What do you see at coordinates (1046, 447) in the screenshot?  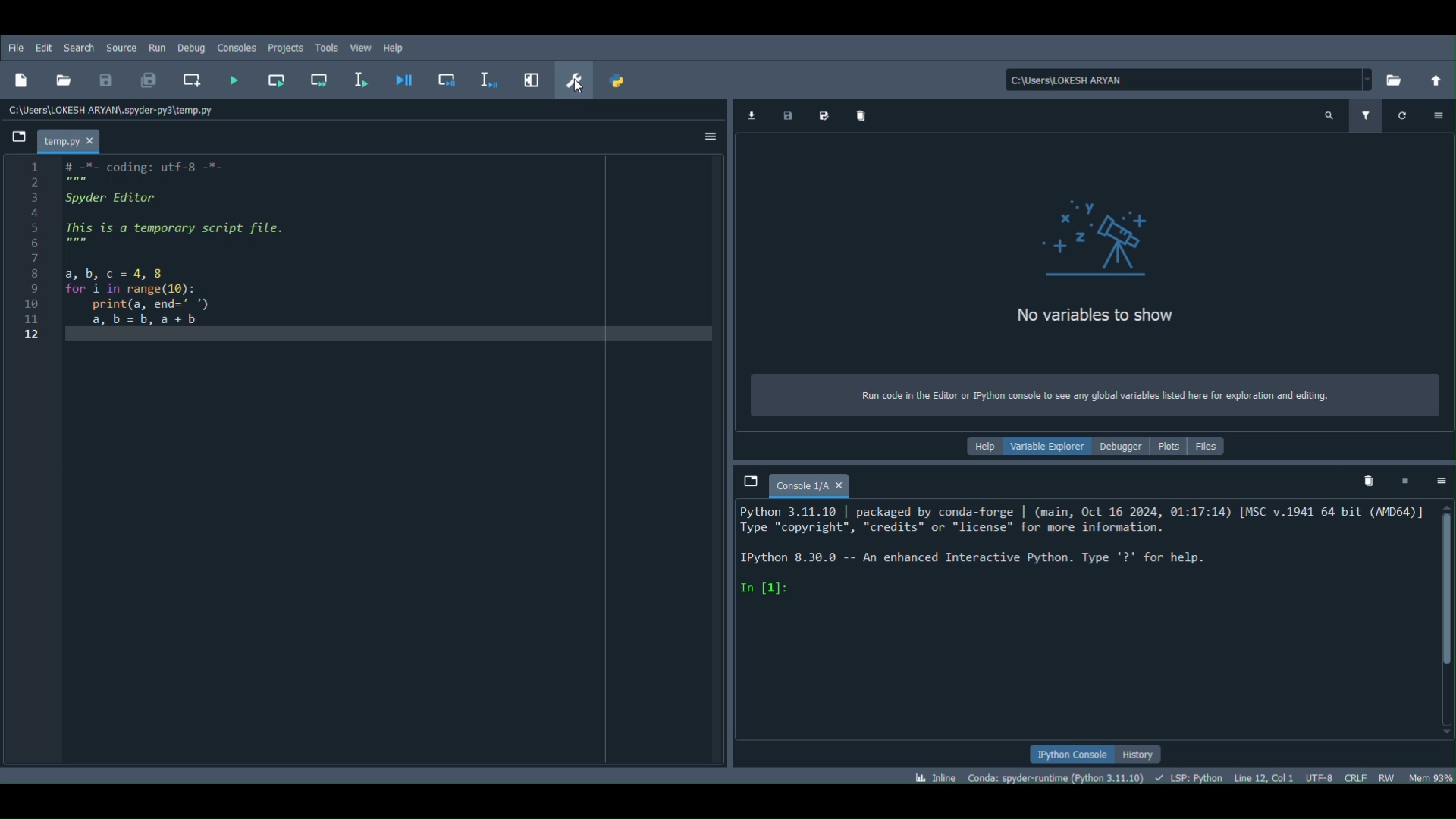 I see `Variable explorer` at bounding box center [1046, 447].